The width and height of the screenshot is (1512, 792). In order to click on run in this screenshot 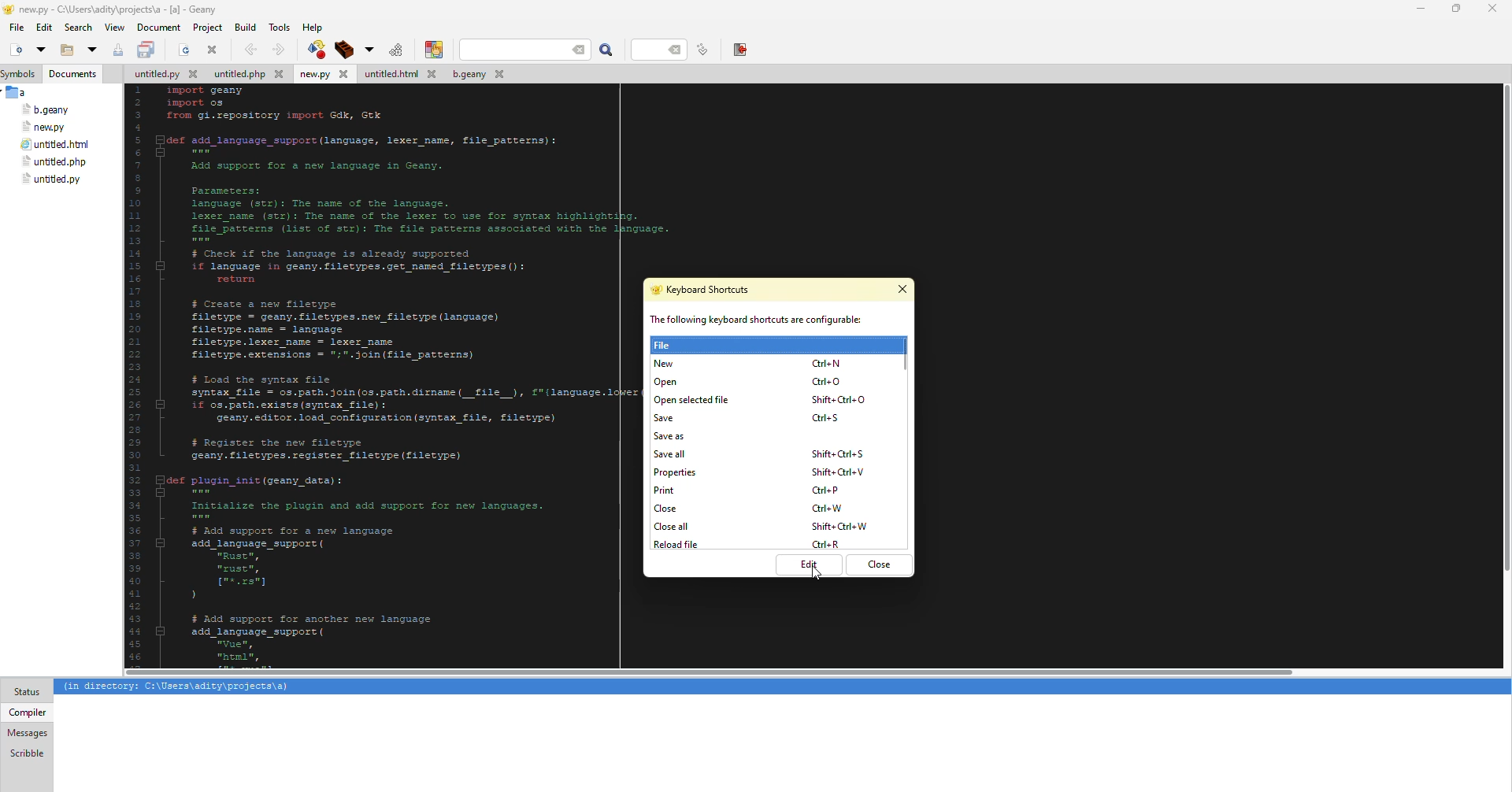, I will do `click(394, 50)`.